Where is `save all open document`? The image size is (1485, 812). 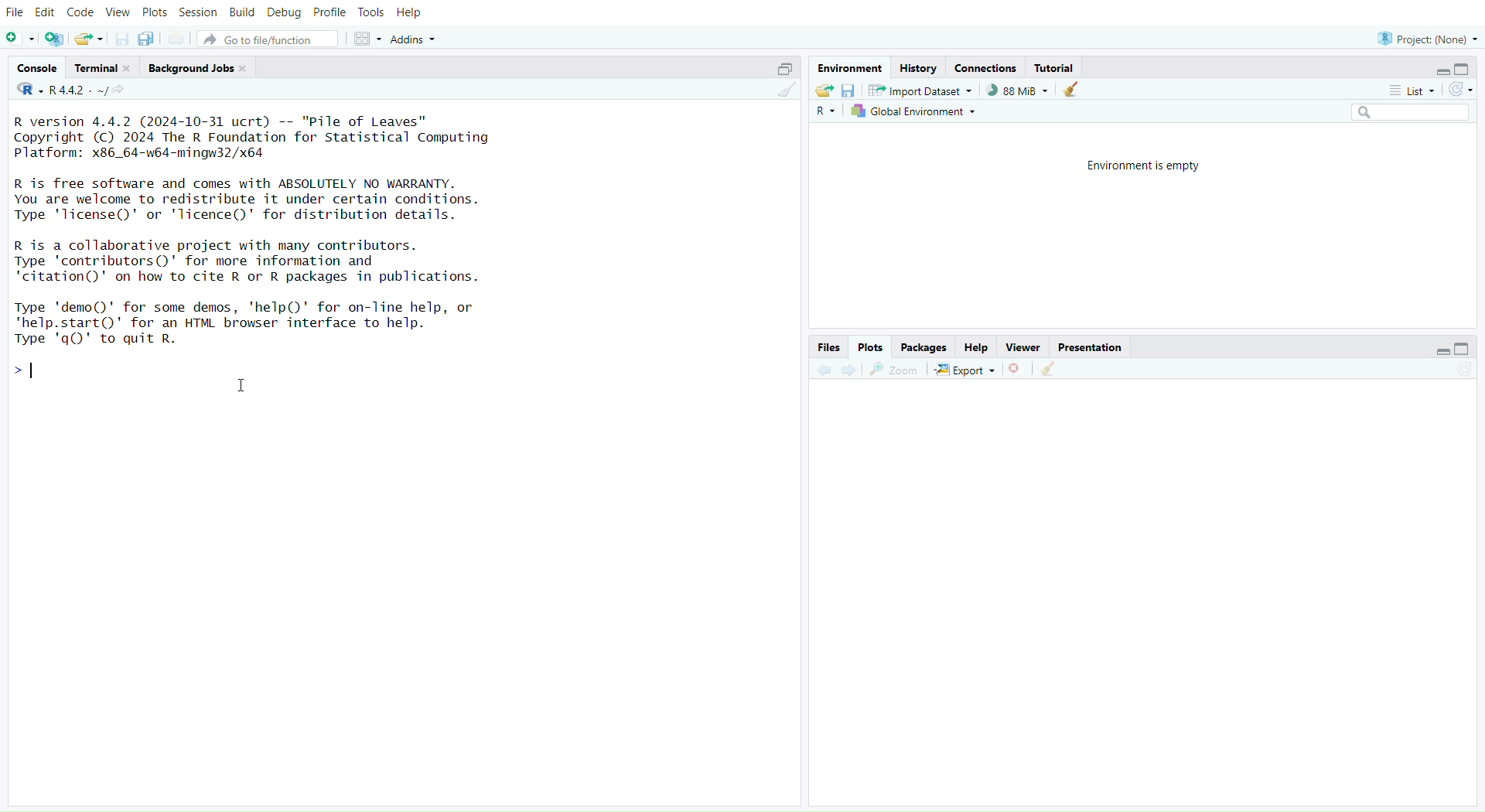
save all open document is located at coordinates (150, 39).